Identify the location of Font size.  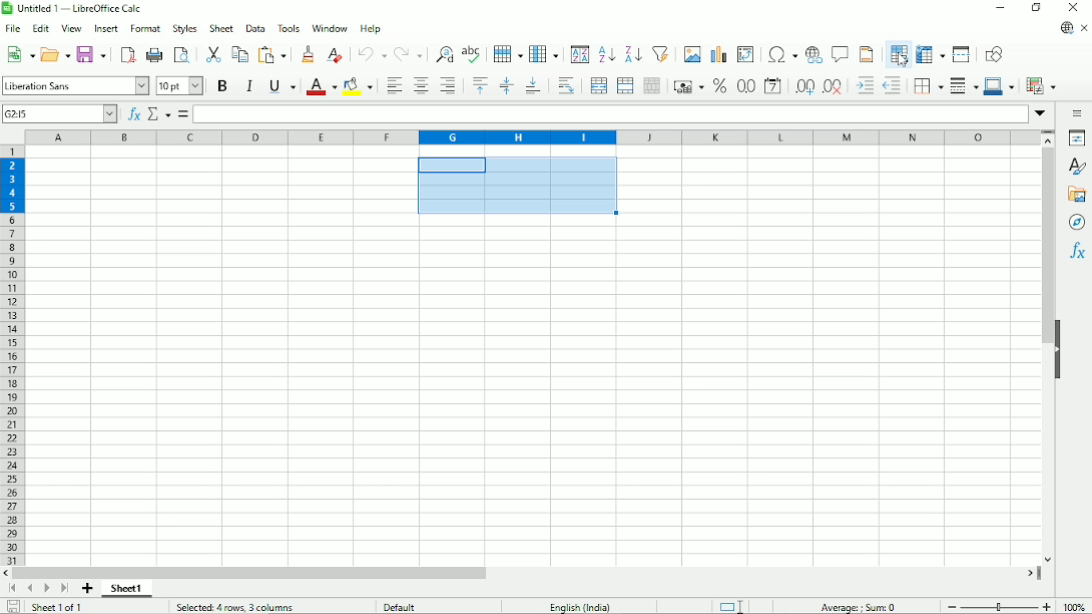
(179, 86).